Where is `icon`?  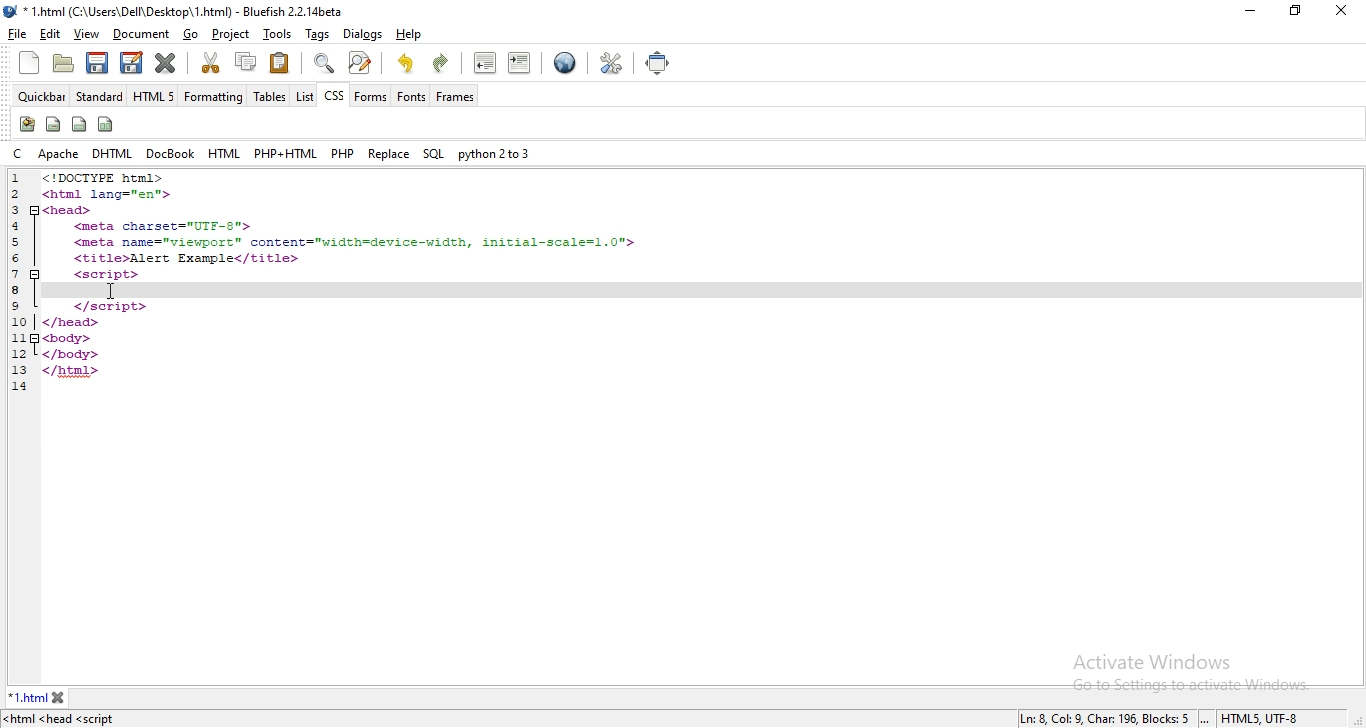
icon is located at coordinates (108, 123).